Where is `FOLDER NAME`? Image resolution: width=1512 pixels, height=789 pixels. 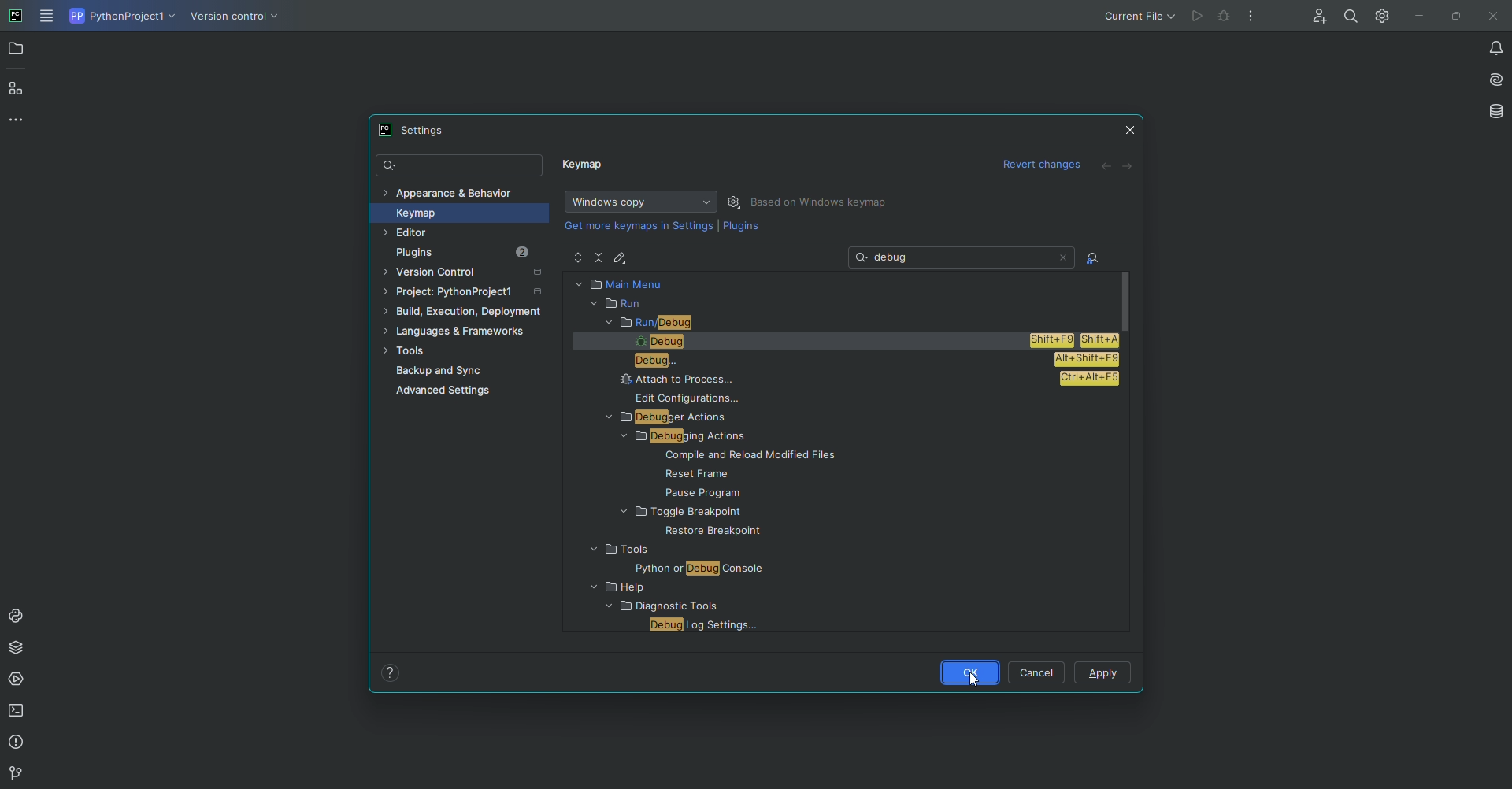 FOLDER NAME is located at coordinates (655, 608).